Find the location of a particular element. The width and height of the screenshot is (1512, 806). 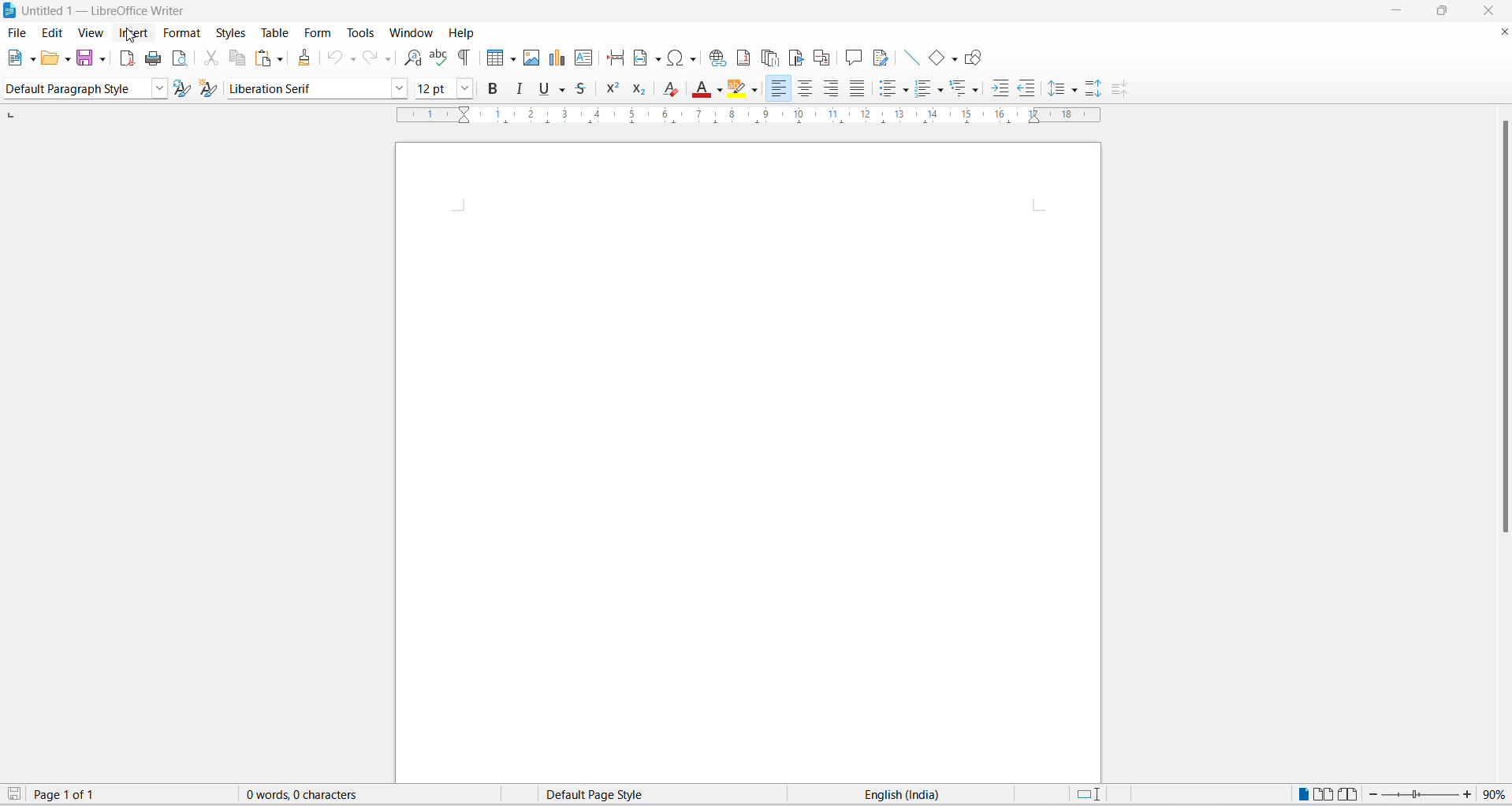

font color is located at coordinates (699, 91).